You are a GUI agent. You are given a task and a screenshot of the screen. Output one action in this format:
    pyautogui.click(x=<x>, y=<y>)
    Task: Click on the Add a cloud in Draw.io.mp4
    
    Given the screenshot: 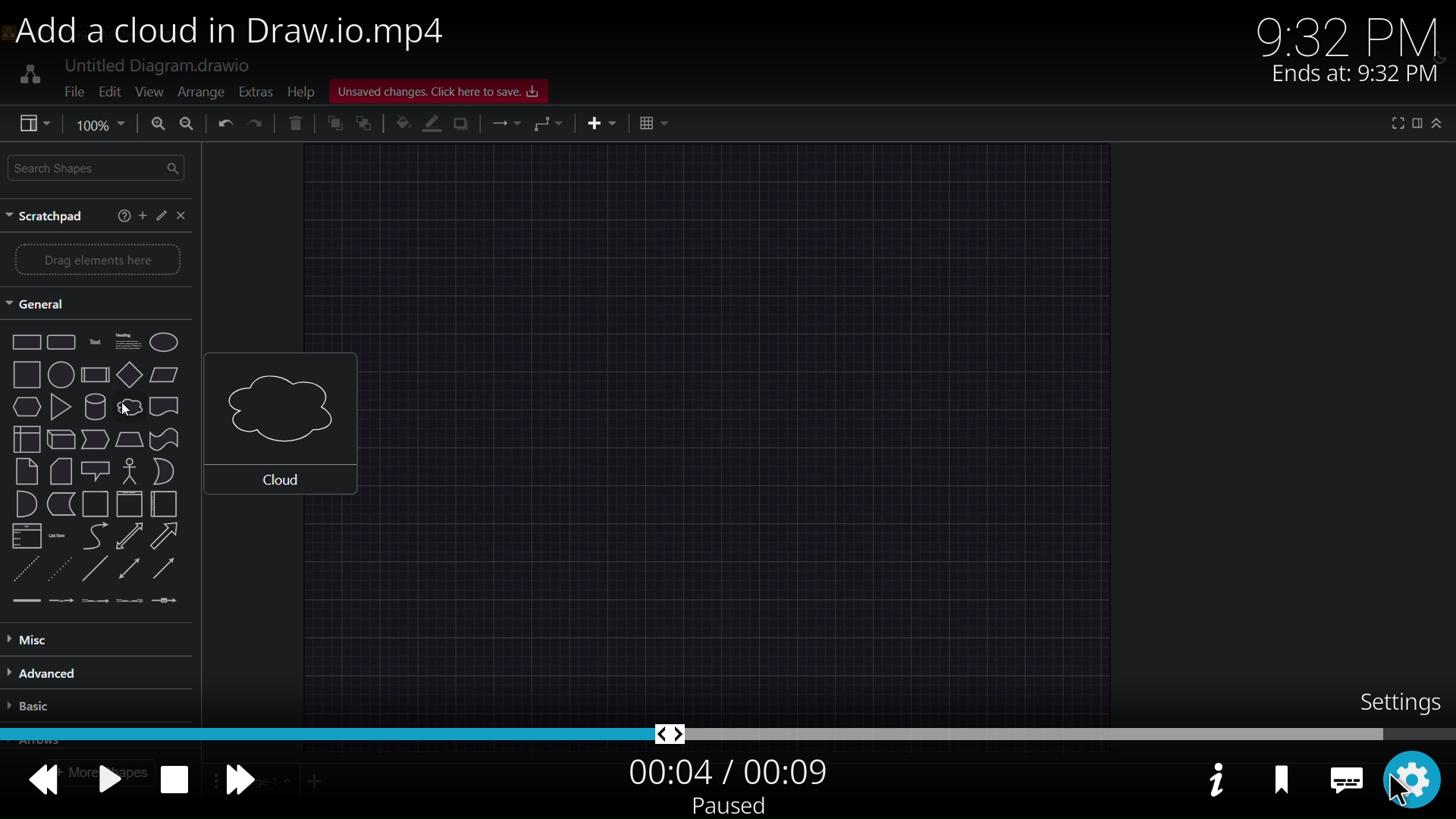 What is the action you would take?
    pyautogui.click(x=245, y=35)
    